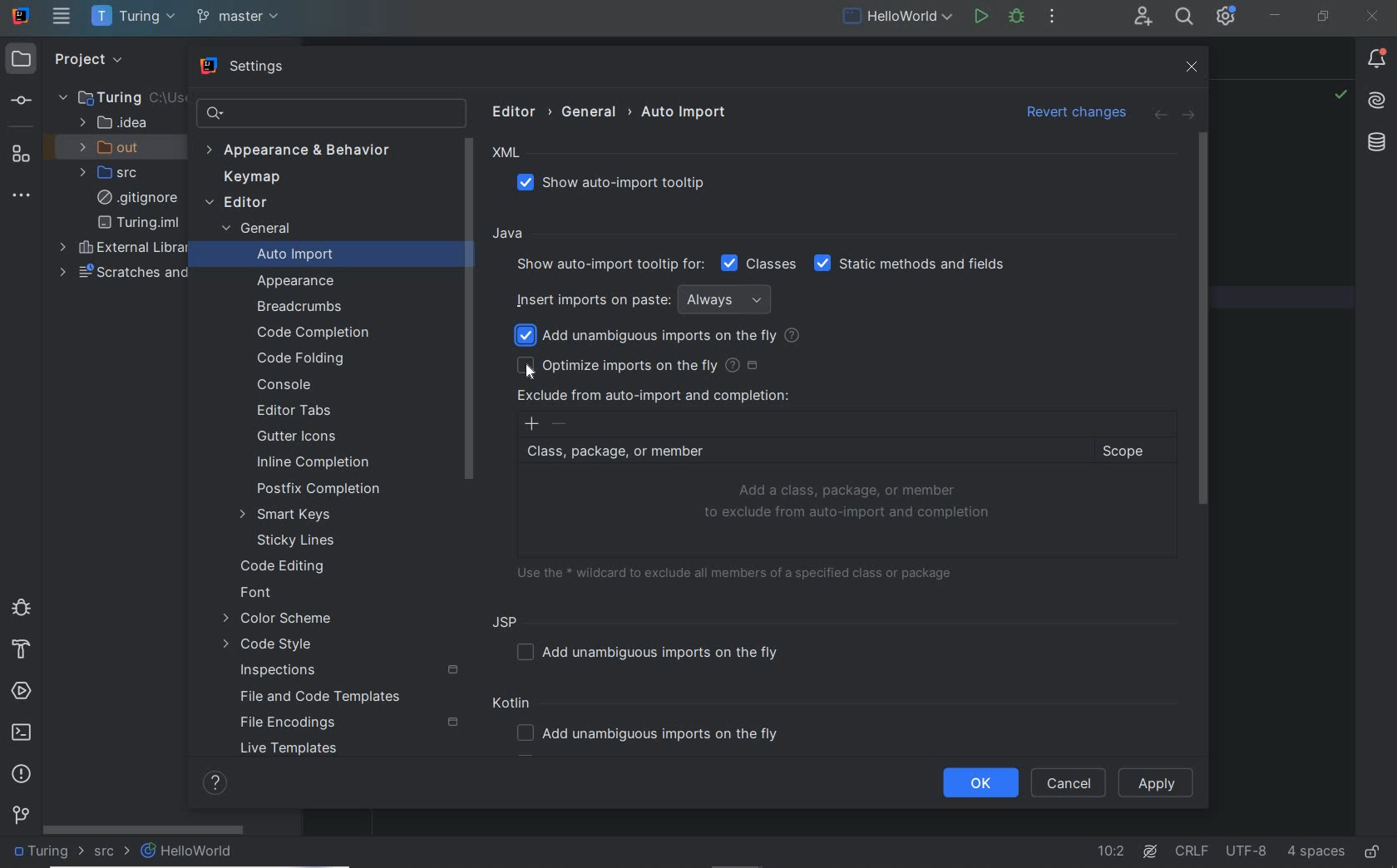 This screenshot has width=1397, height=868. Describe the element at coordinates (1069, 783) in the screenshot. I see `CANCEL` at that location.